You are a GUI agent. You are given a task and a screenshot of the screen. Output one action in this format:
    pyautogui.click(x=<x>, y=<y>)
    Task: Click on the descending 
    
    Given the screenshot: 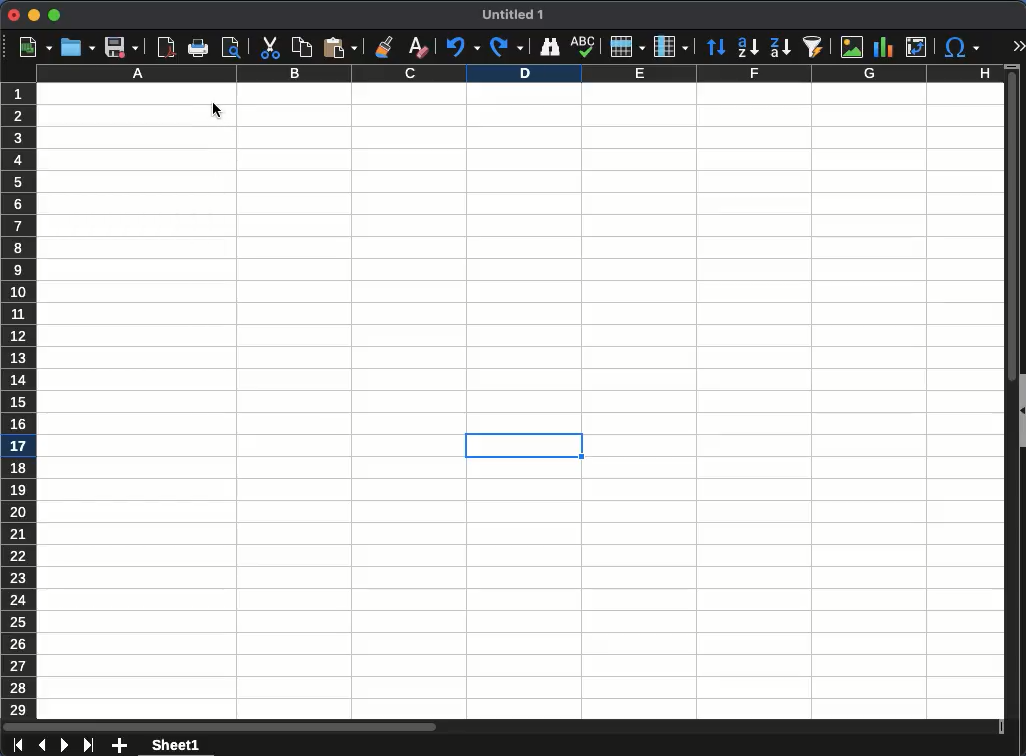 What is the action you would take?
    pyautogui.click(x=780, y=49)
    